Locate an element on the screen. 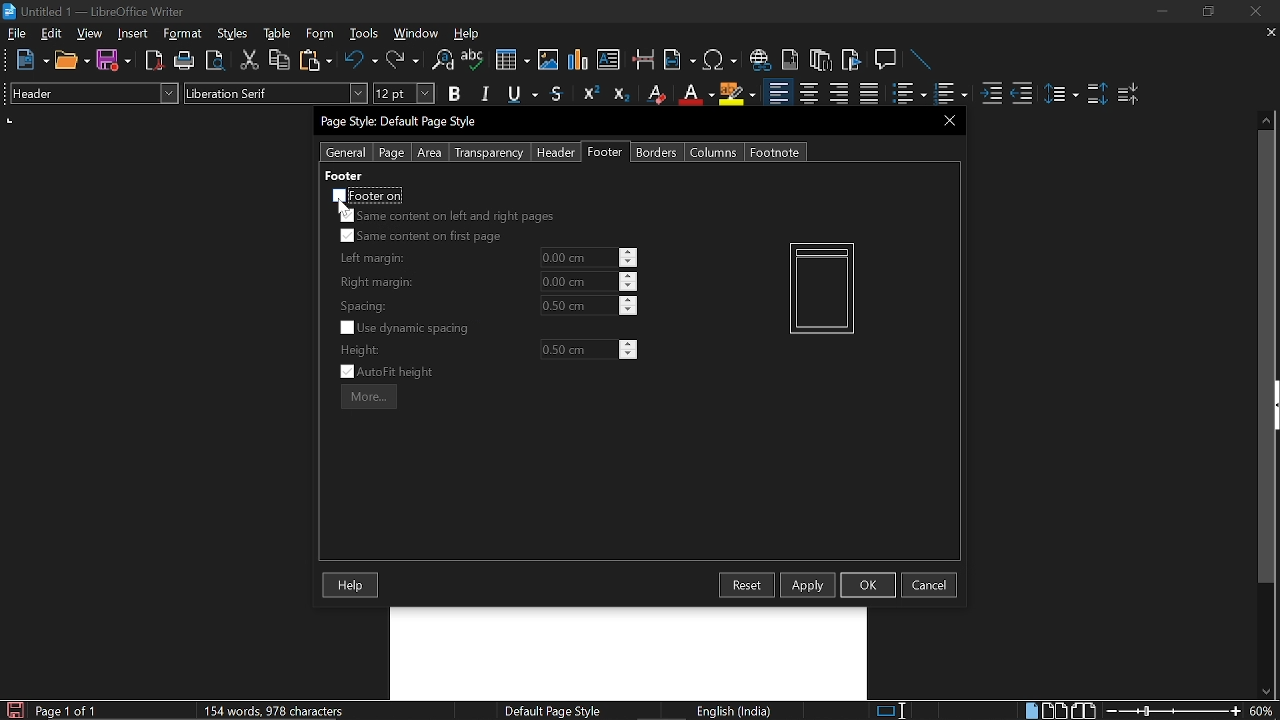 This screenshot has width=1280, height=720. Erase is located at coordinates (655, 94).